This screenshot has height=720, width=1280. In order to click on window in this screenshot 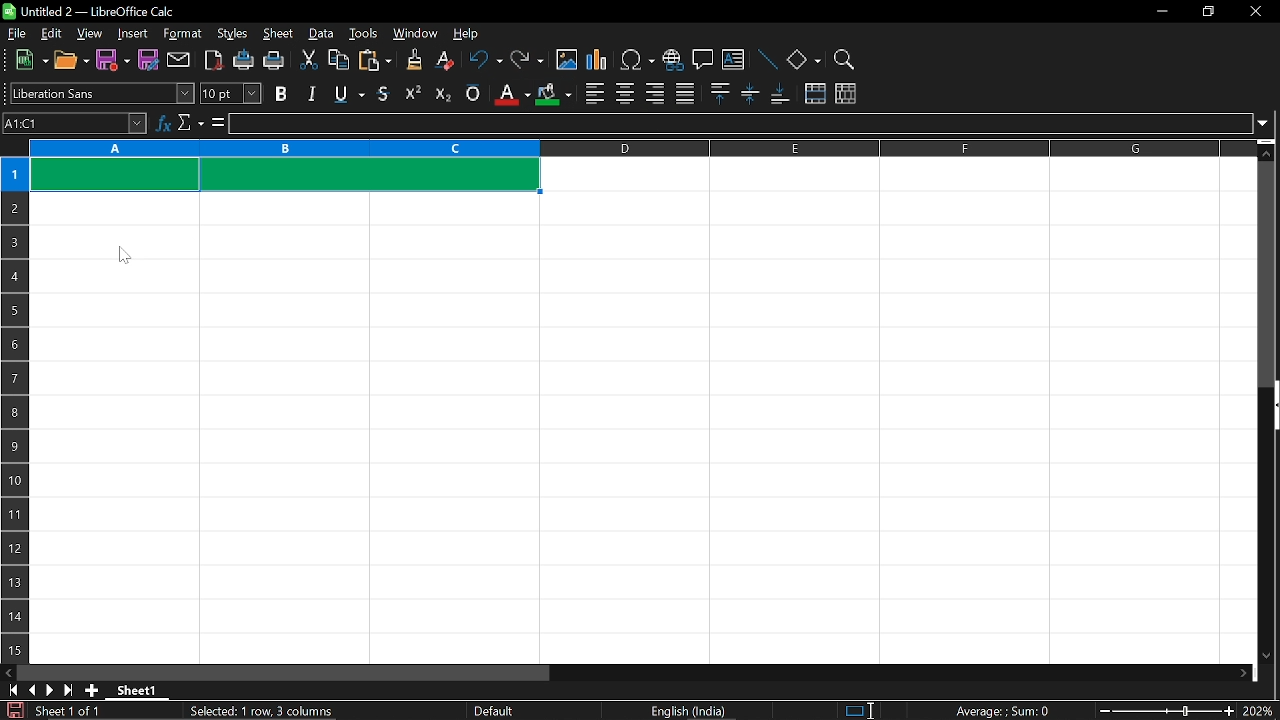, I will do `click(415, 34)`.